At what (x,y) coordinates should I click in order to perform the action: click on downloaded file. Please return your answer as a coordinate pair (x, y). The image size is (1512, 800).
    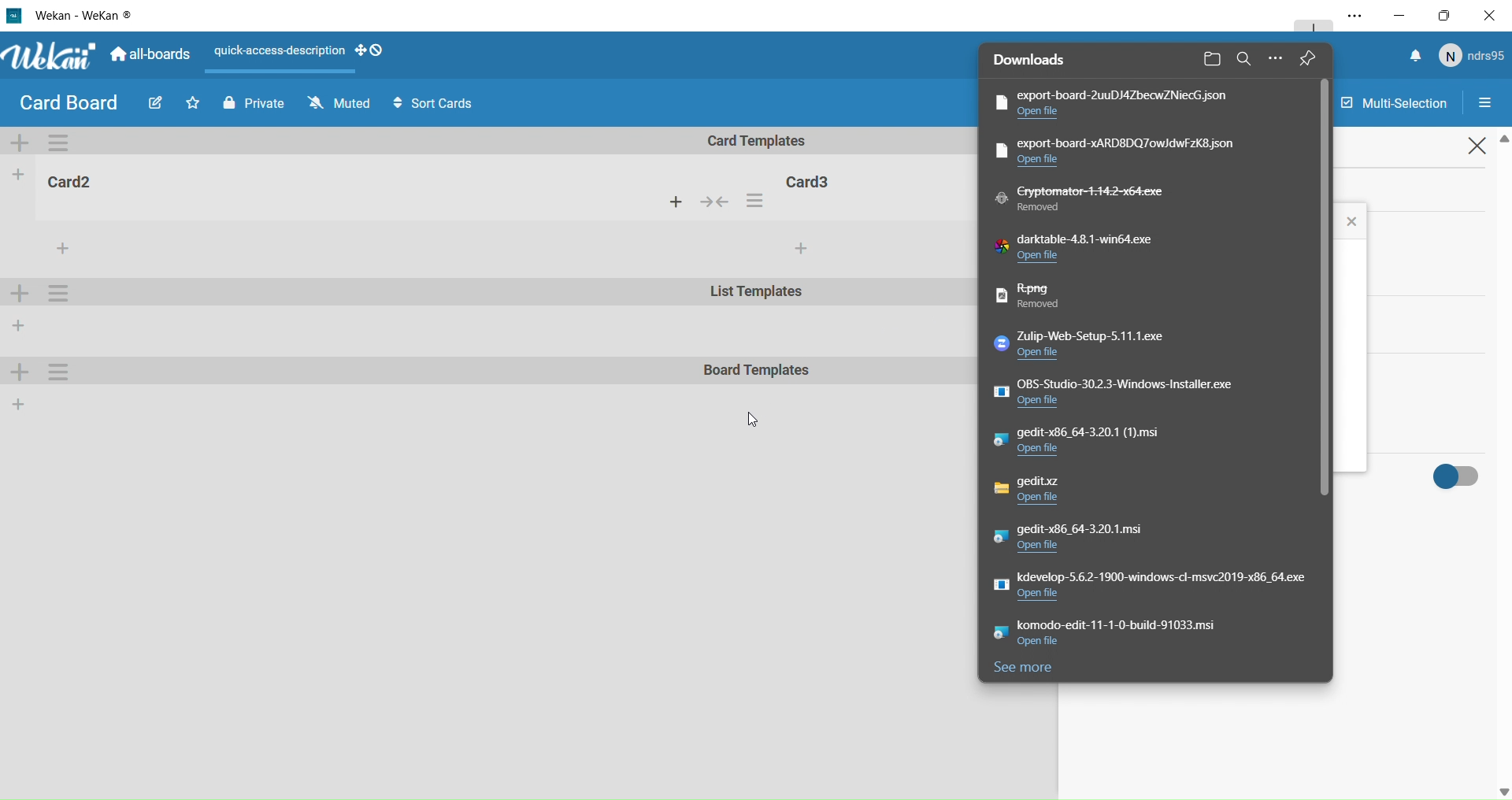
    Looking at the image, I should click on (1100, 443).